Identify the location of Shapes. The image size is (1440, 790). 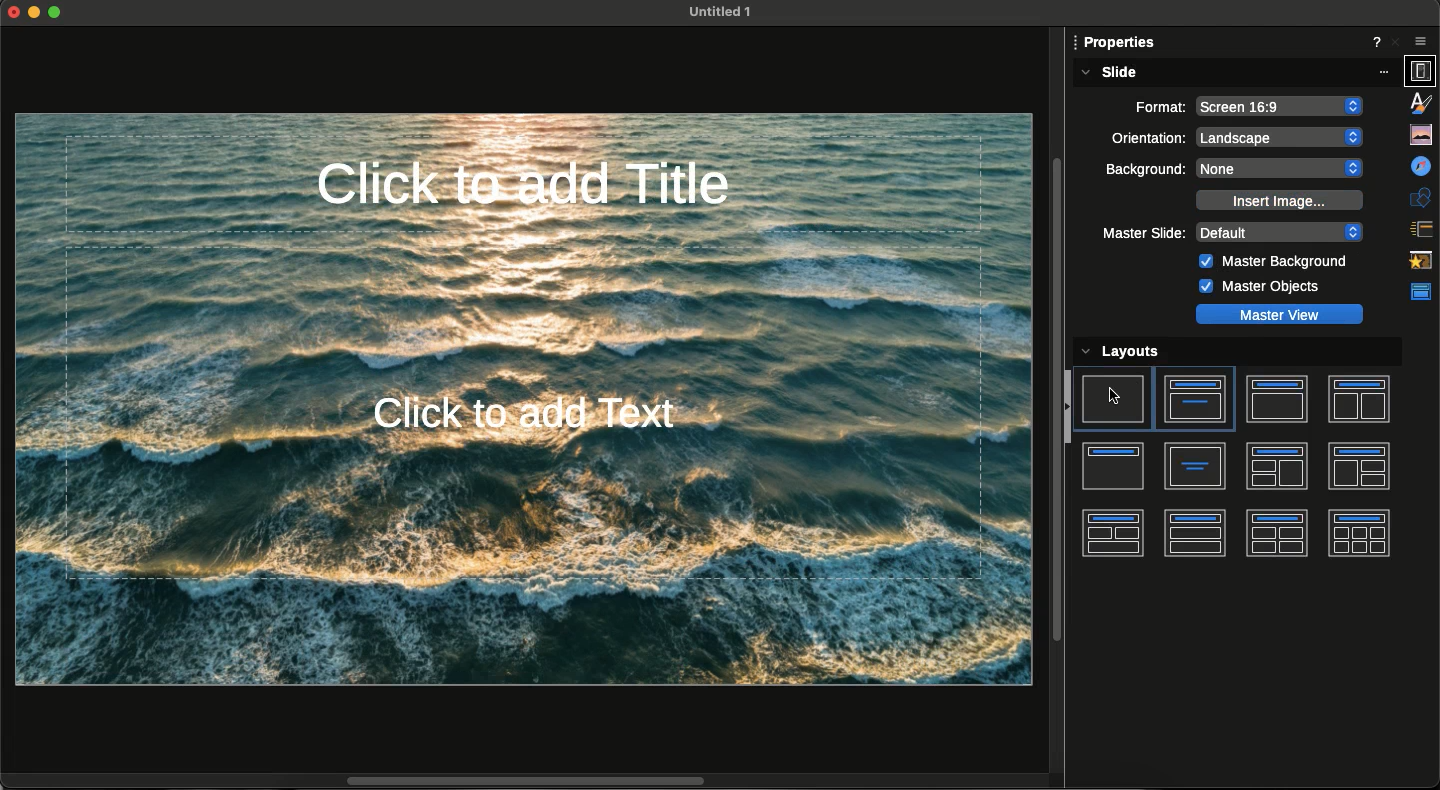
(1421, 198).